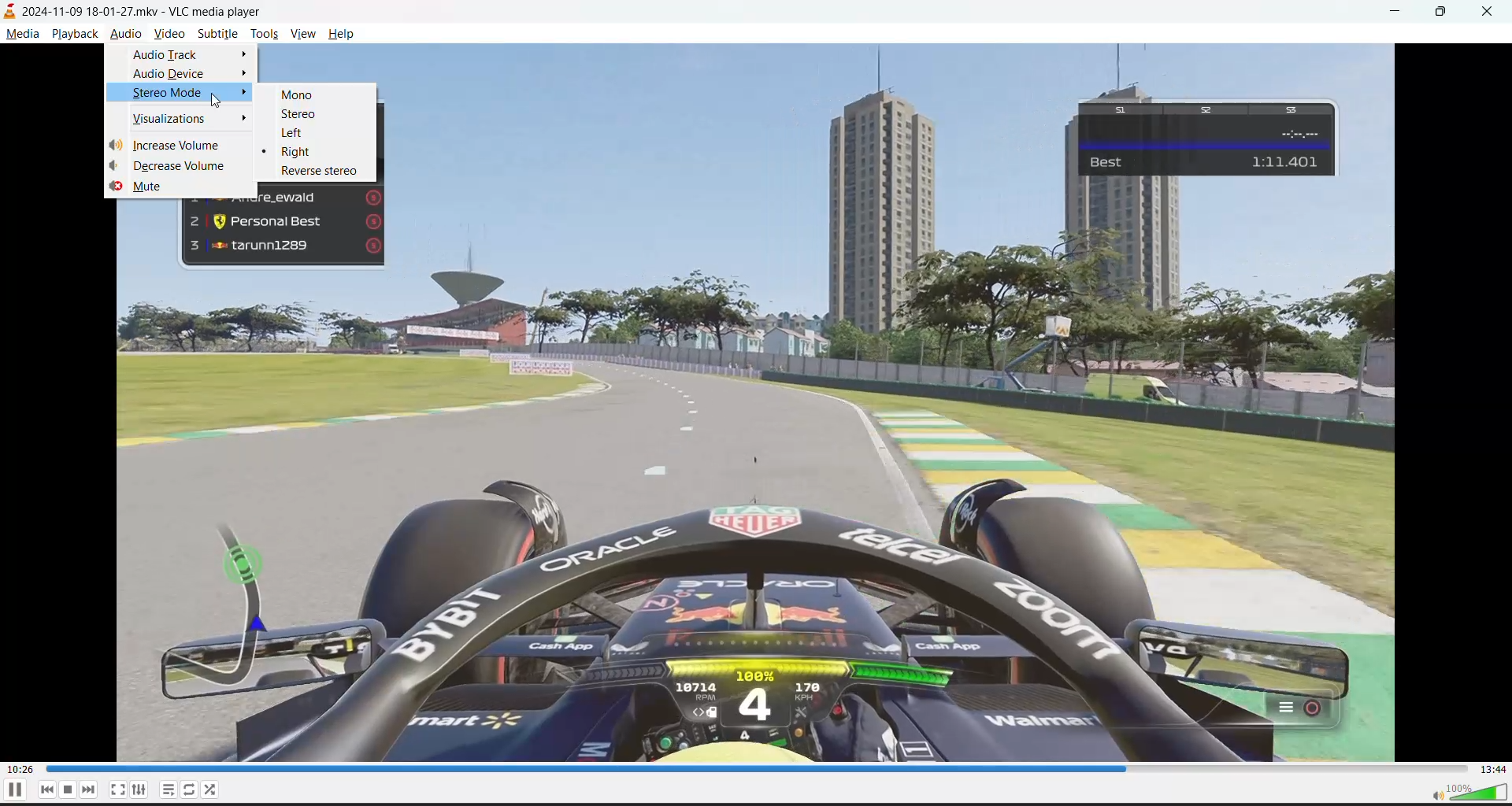 This screenshot has height=806, width=1512. What do you see at coordinates (732, 179) in the screenshot?
I see `preview` at bounding box center [732, 179].